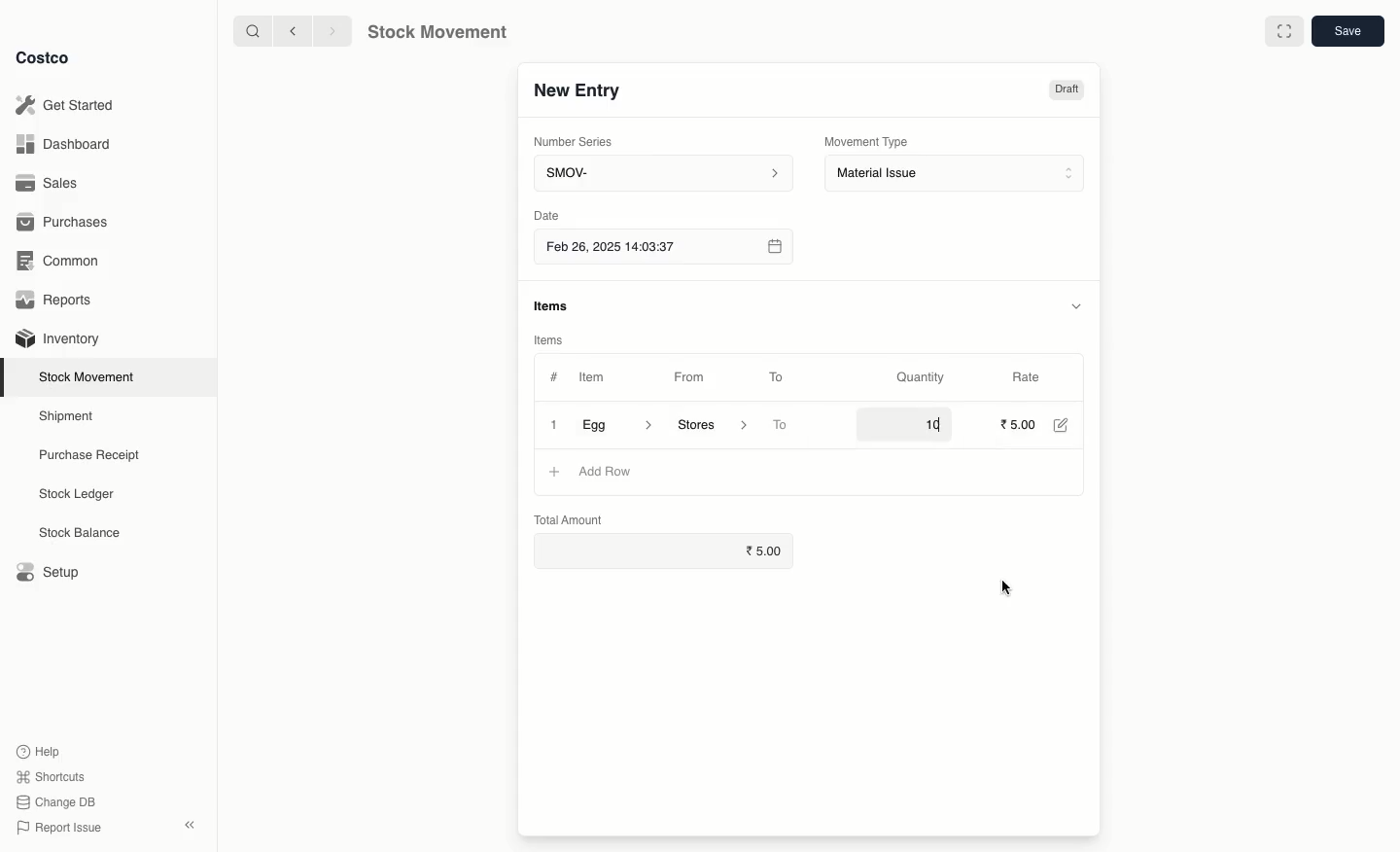  What do you see at coordinates (553, 471) in the screenshot?
I see `+` at bounding box center [553, 471].